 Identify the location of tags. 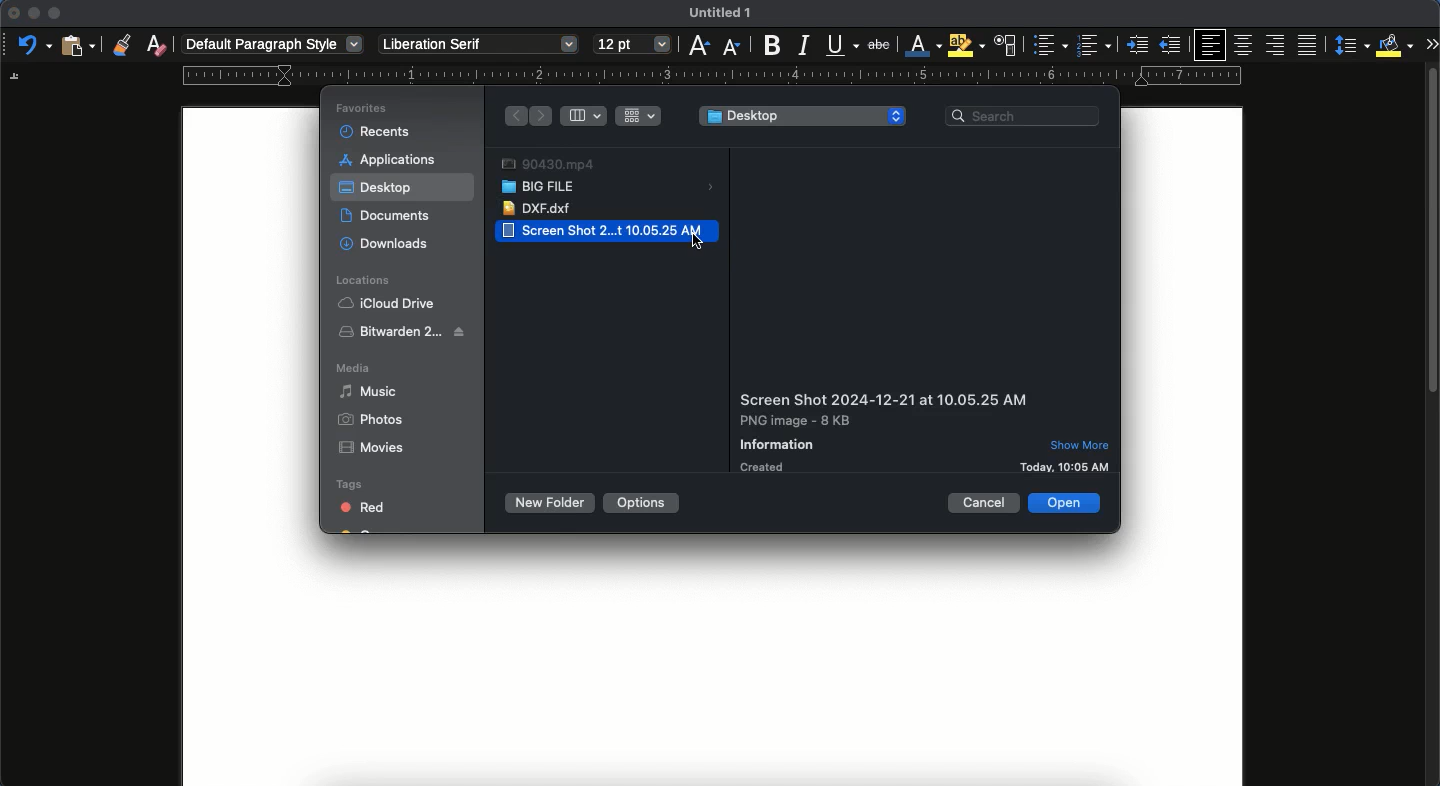
(355, 486).